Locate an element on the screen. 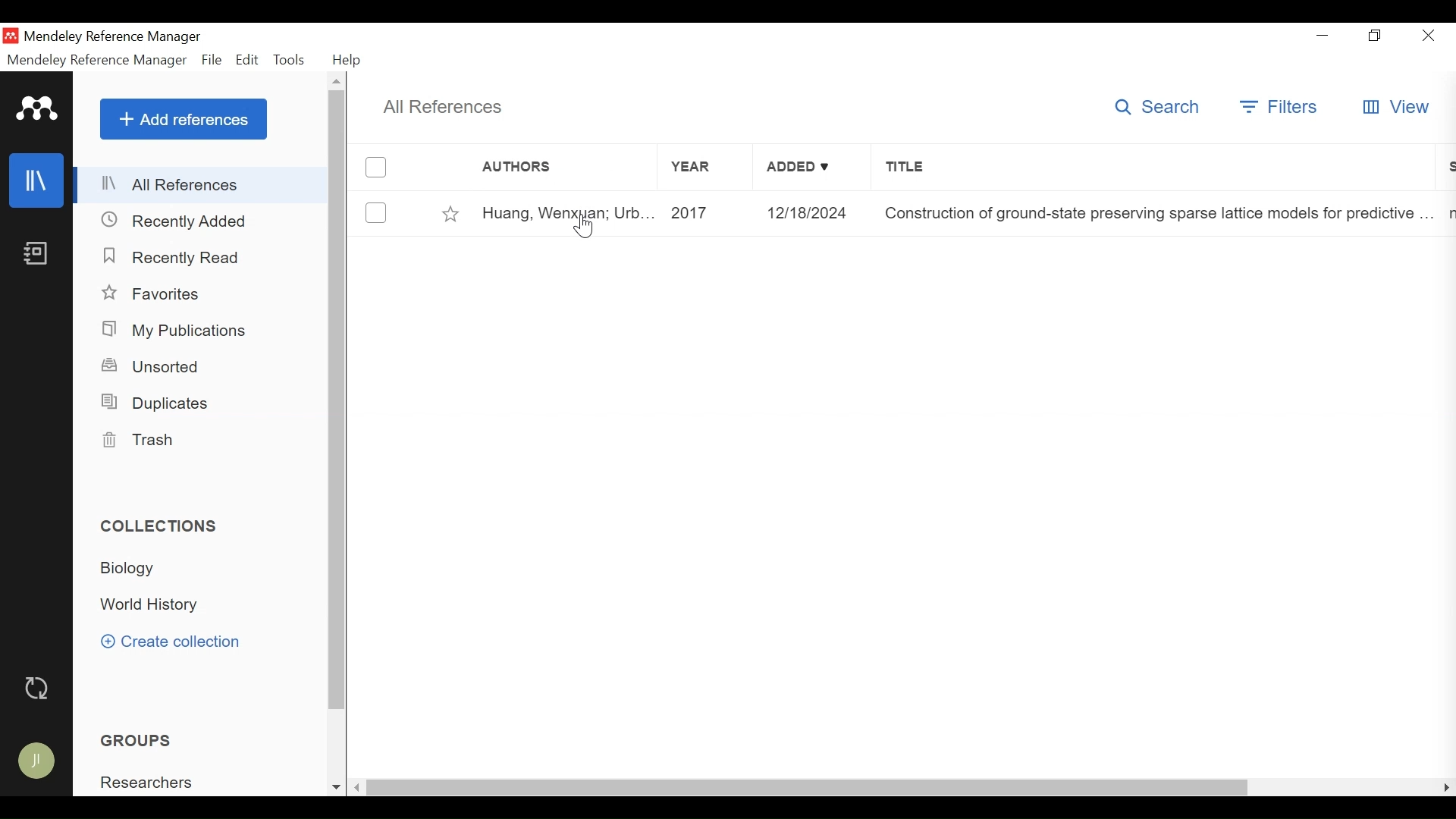 The height and width of the screenshot is (819, 1456). Title is located at coordinates (1152, 167).